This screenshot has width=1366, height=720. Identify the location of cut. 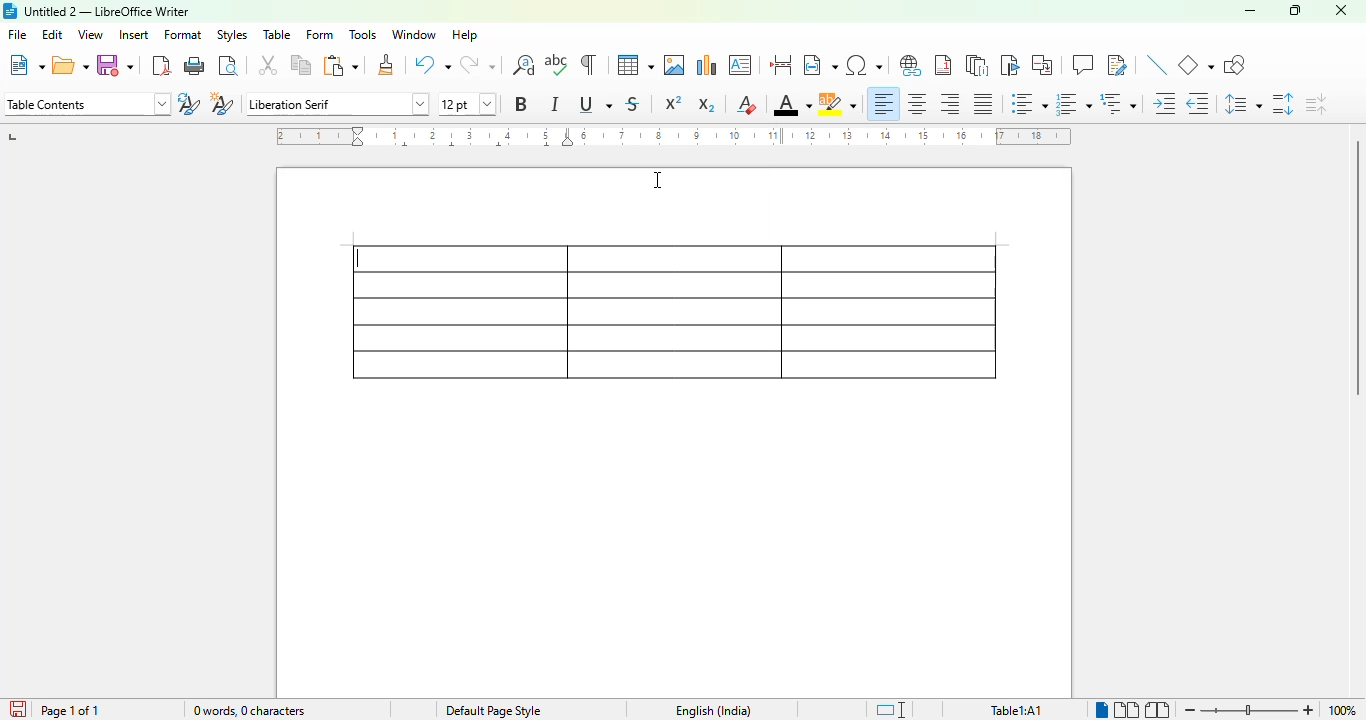
(269, 65).